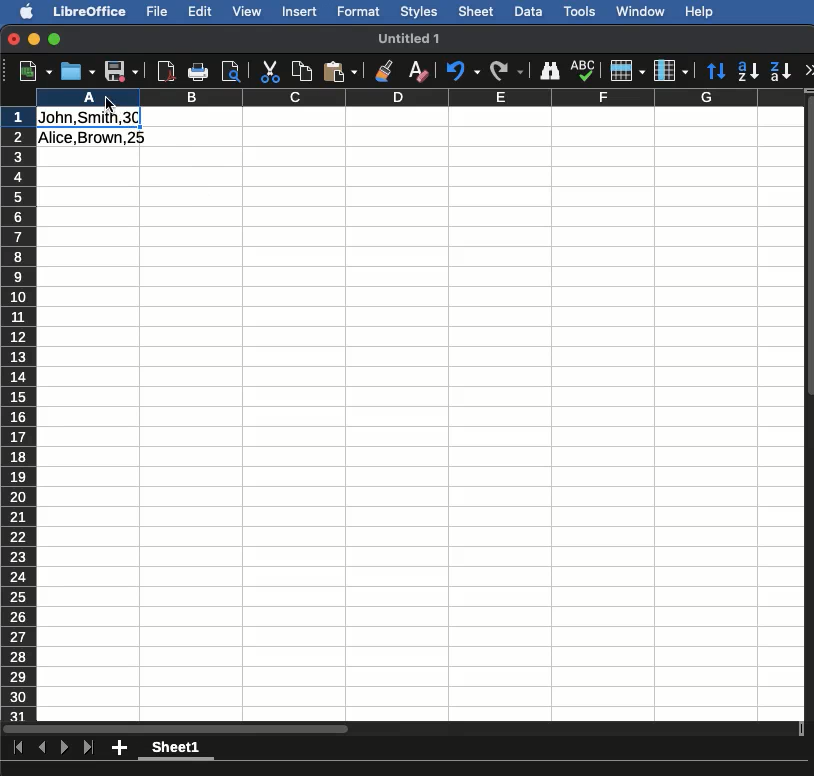 This screenshot has height=776, width=814. Describe the element at coordinates (89, 12) in the screenshot. I see `Libreoffice` at that location.